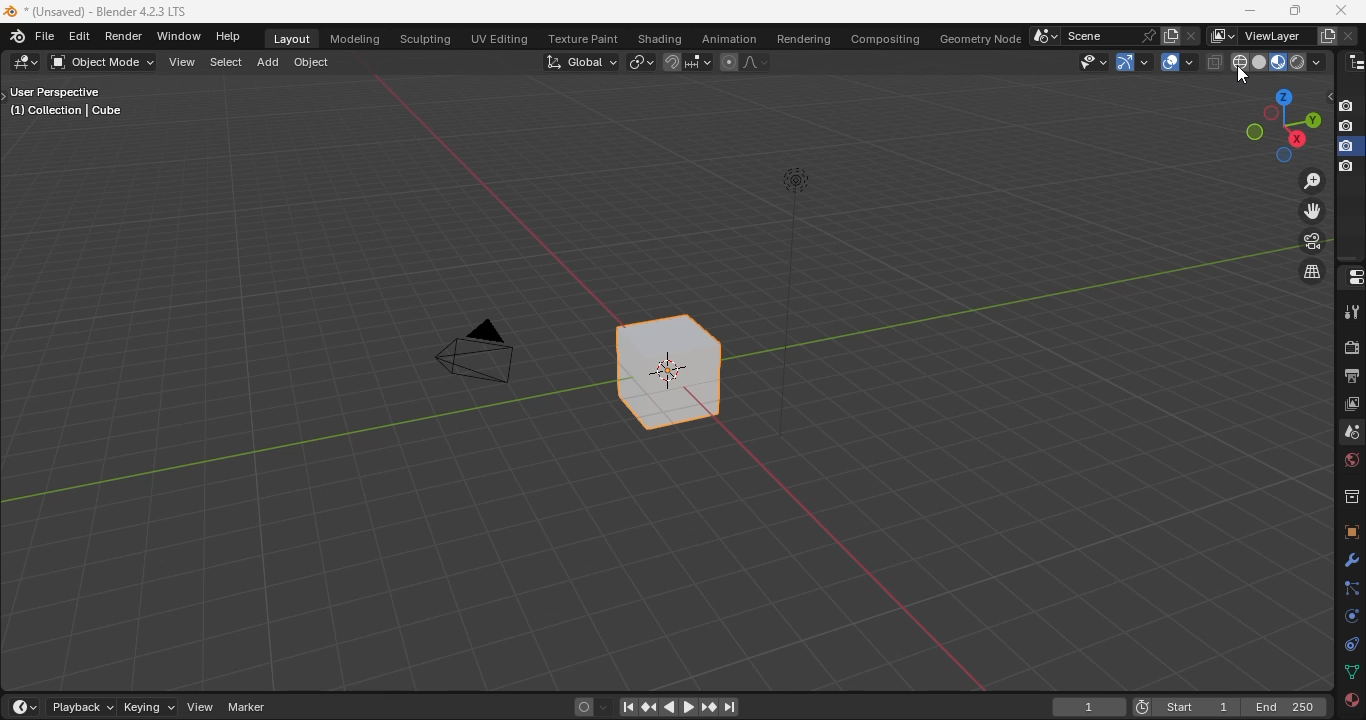 This screenshot has height=720, width=1366. What do you see at coordinates (1351, 347) in the screenshot?
I see `render` at bounding box center [1351, 347].